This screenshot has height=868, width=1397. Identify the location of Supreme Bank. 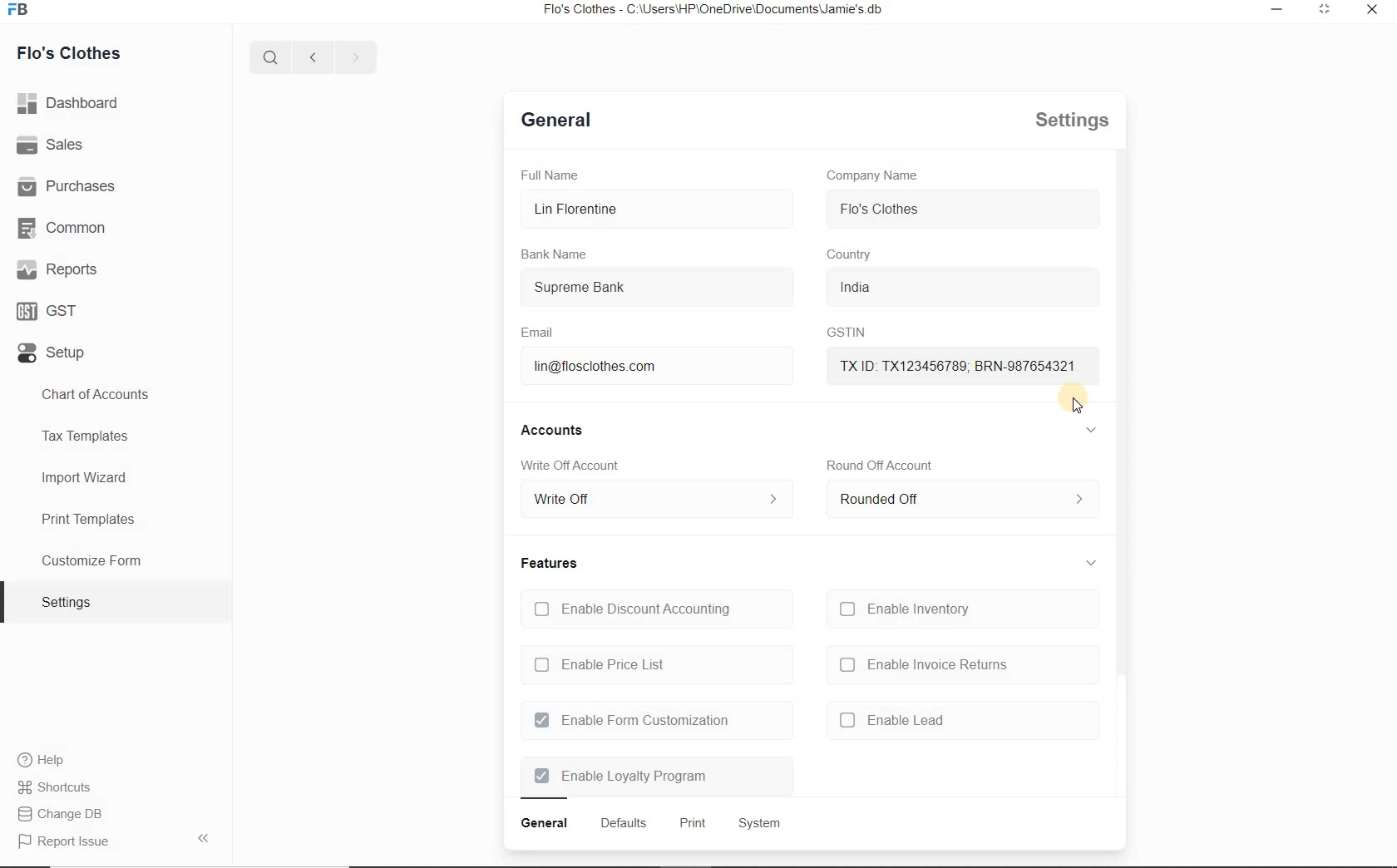
(633, 289).